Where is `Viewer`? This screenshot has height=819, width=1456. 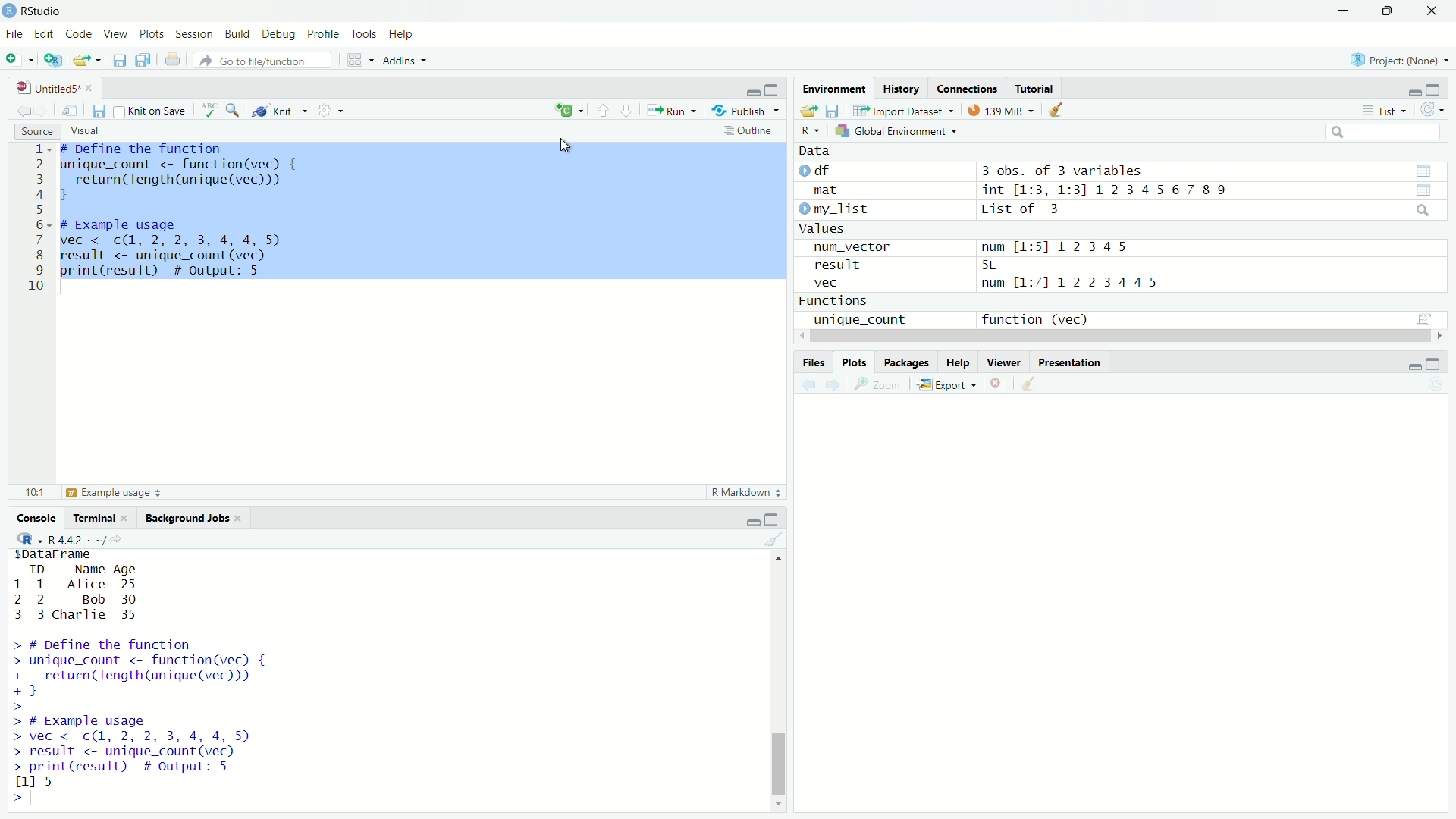
Viewer is located at coordinates (1006, 362).